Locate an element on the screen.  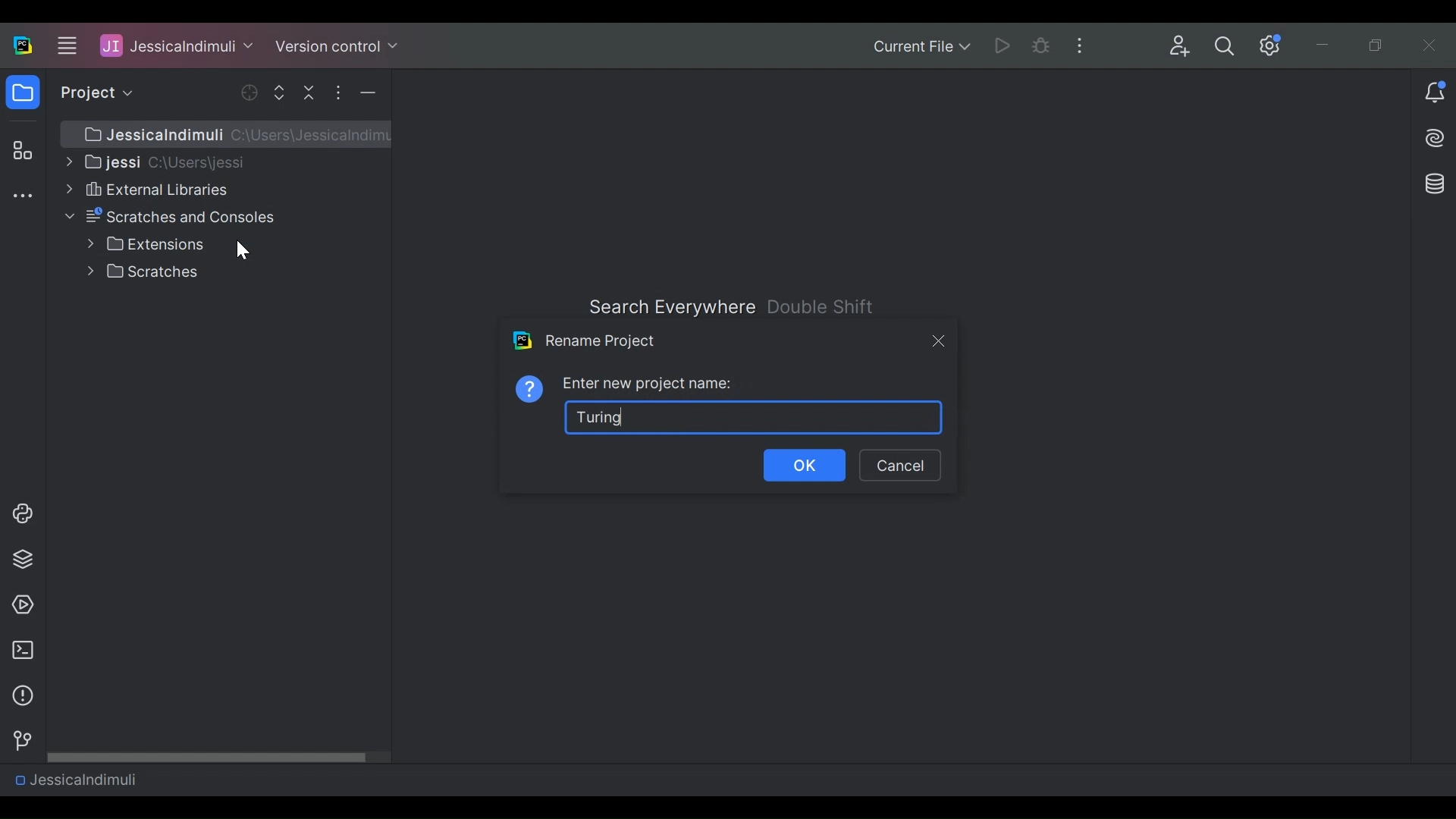
More Options is located at coordinates (1084, 44).